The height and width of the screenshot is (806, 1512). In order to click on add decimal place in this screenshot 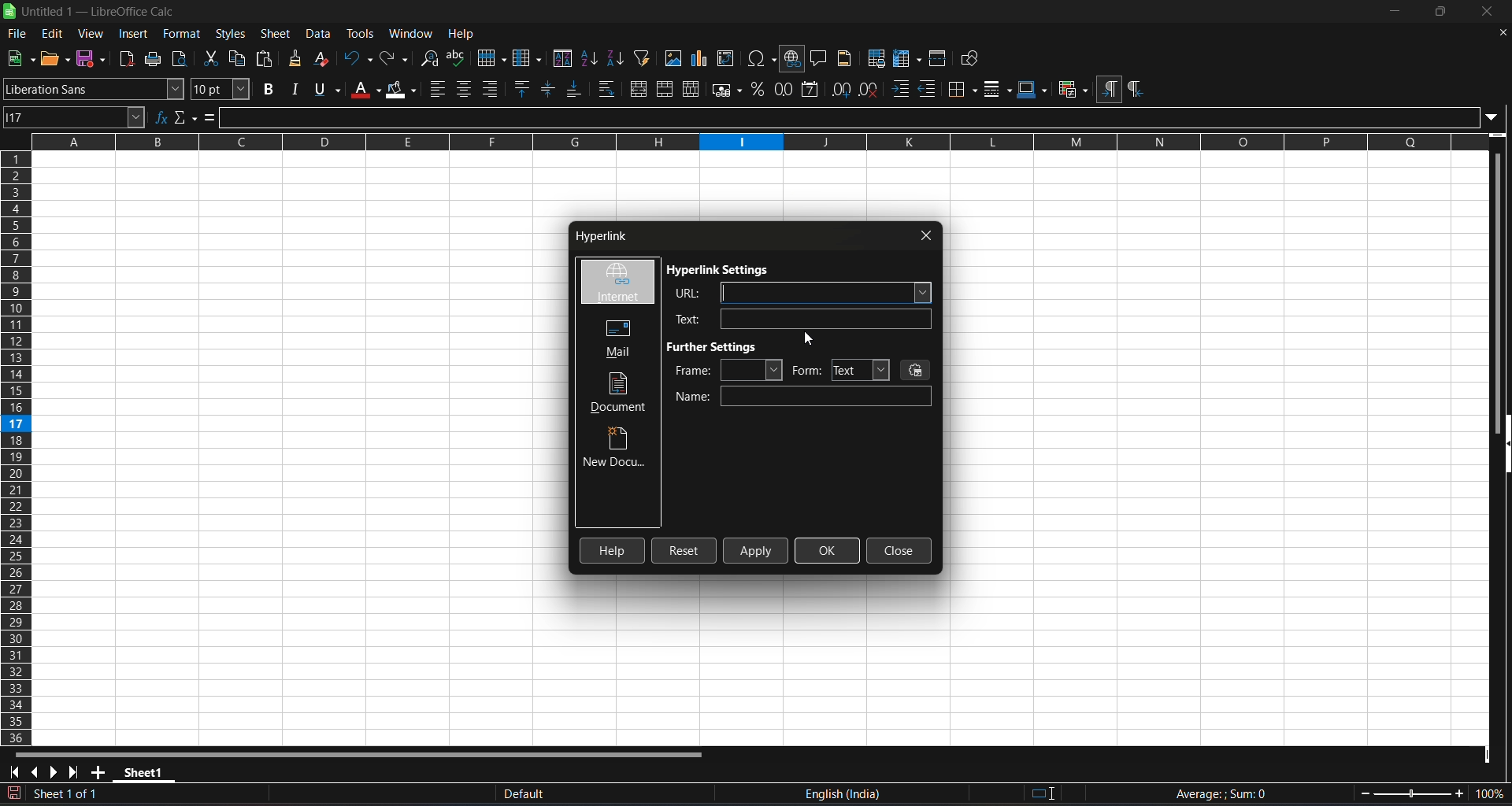, I will do `click(839, 89)`.